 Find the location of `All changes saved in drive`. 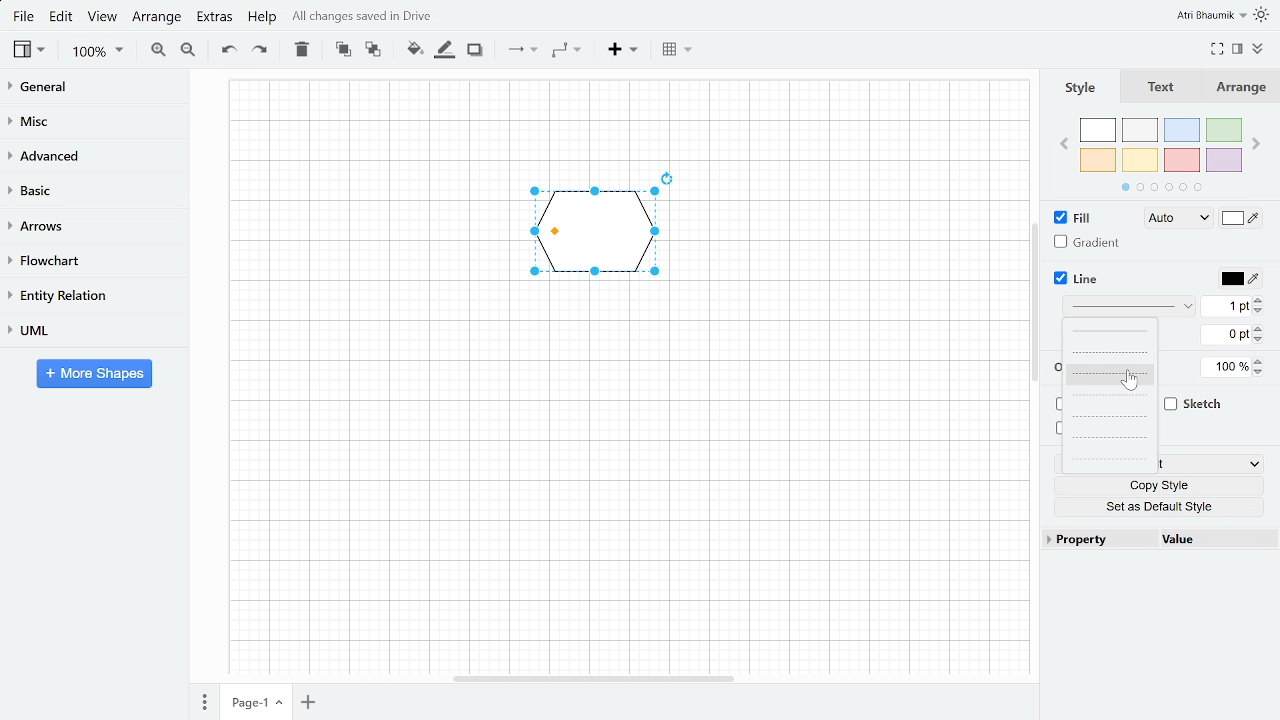

All changes saved in drive is located at coordinates (364, 16).